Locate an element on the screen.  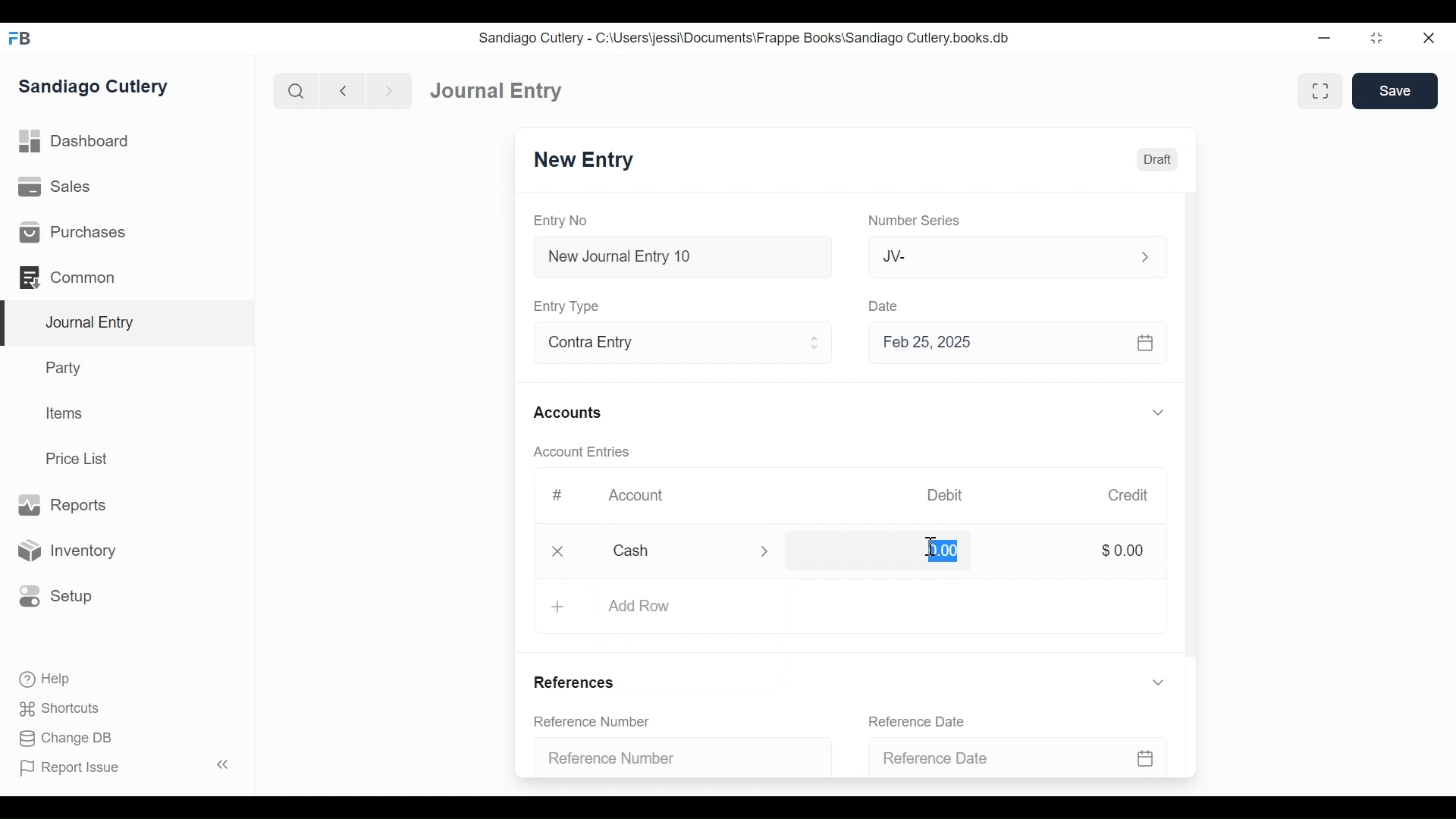
Entry Type is located at coordinates (571, 306).